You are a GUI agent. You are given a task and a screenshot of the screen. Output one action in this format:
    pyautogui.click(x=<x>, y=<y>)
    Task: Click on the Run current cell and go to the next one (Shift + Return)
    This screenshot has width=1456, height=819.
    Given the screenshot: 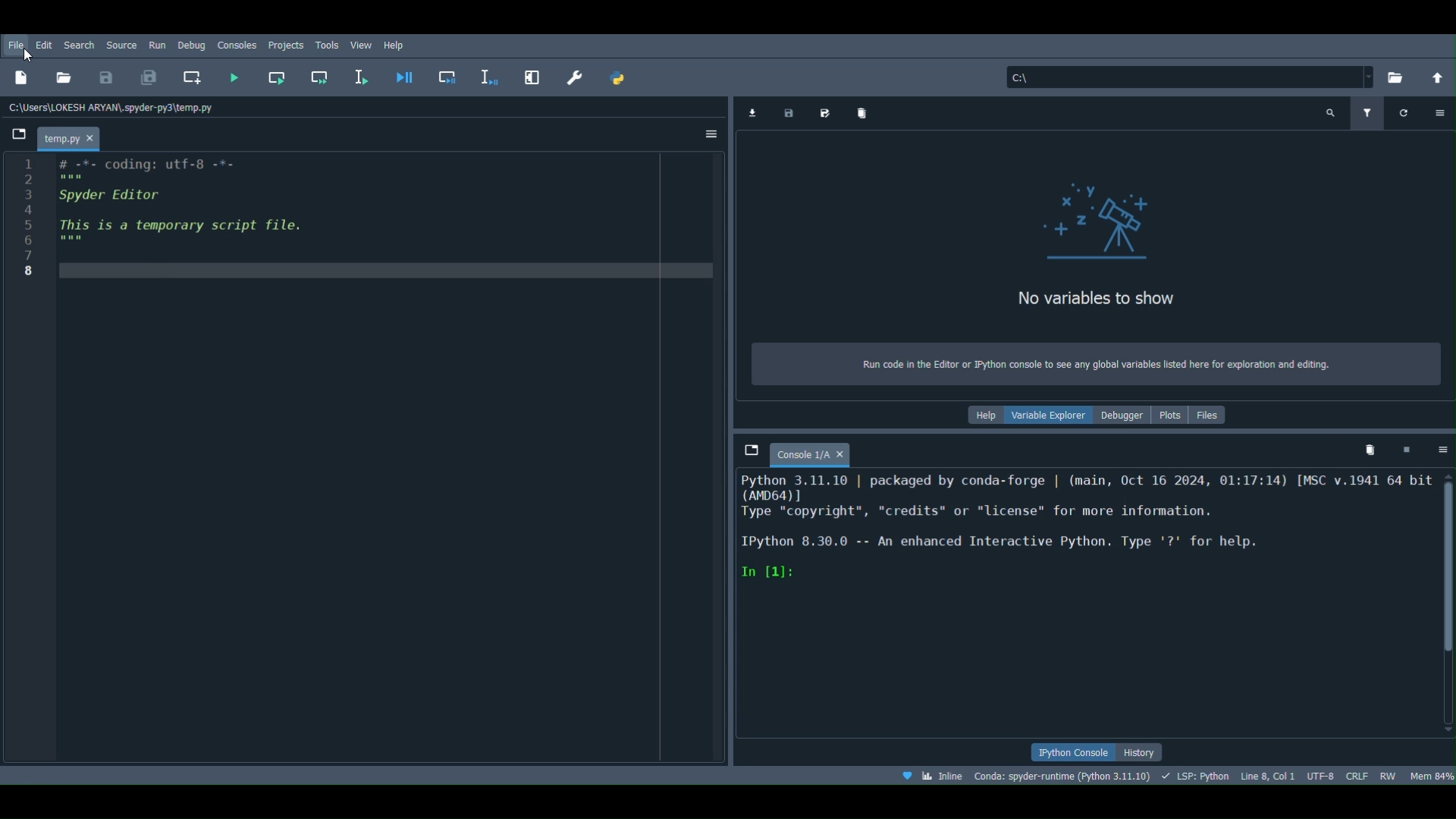 What is the action you would take?
    pyautogui.click(x=319, y=80)
    